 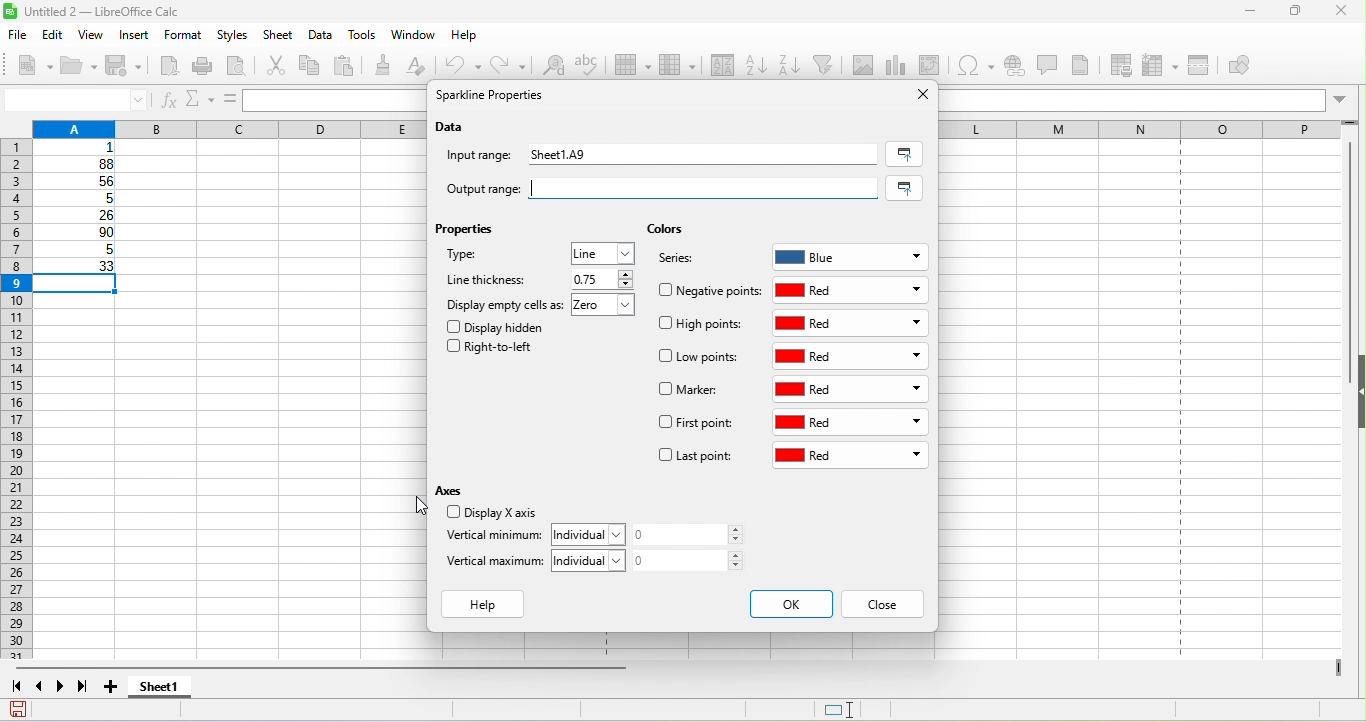 What do you see at coordinates (979, 65) in the screenshot?
I see `special character` at bounding box center [979, 65].